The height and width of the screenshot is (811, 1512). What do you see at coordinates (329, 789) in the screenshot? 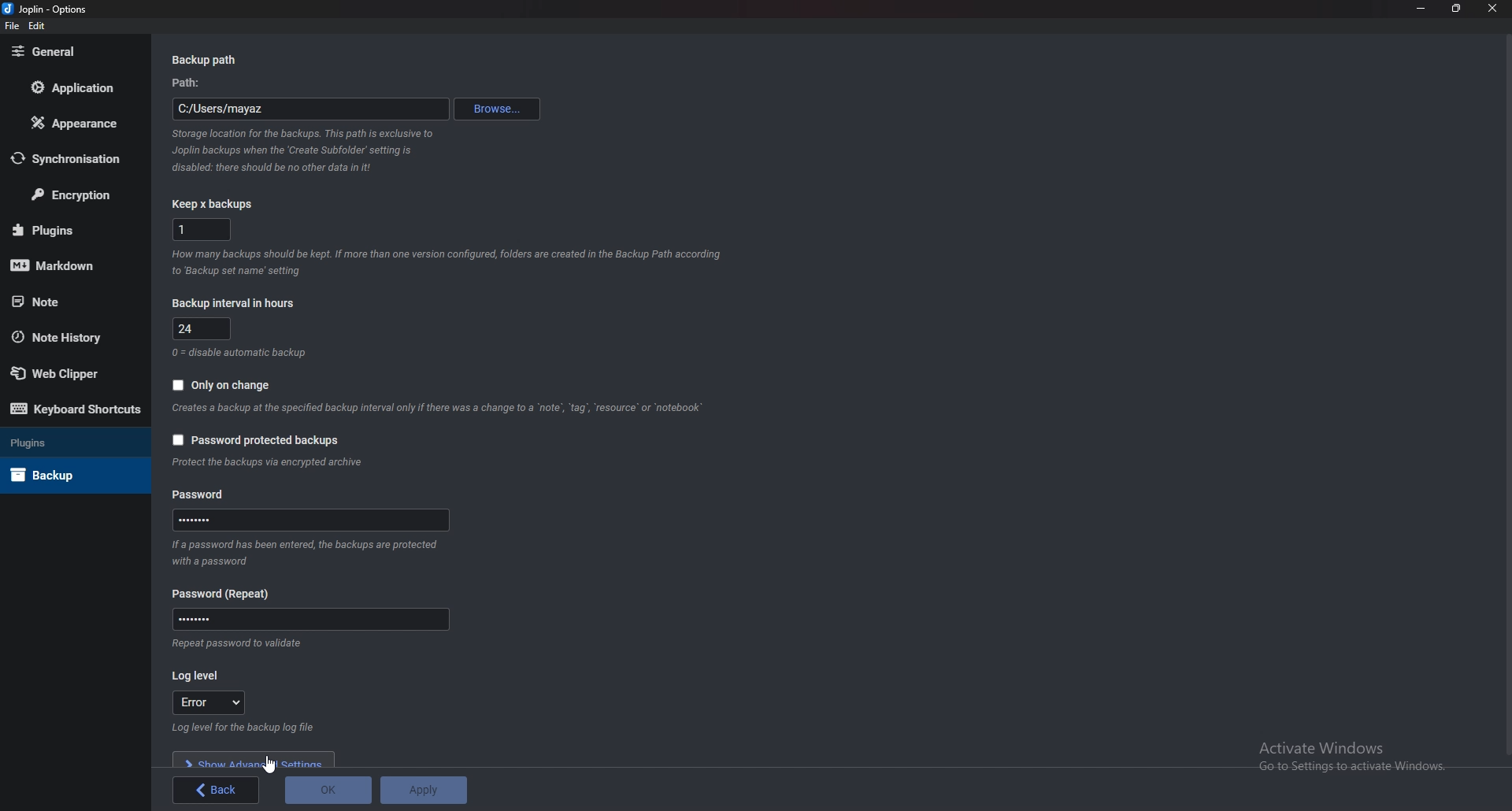
I see `O K` at bounding box center [329, 789].